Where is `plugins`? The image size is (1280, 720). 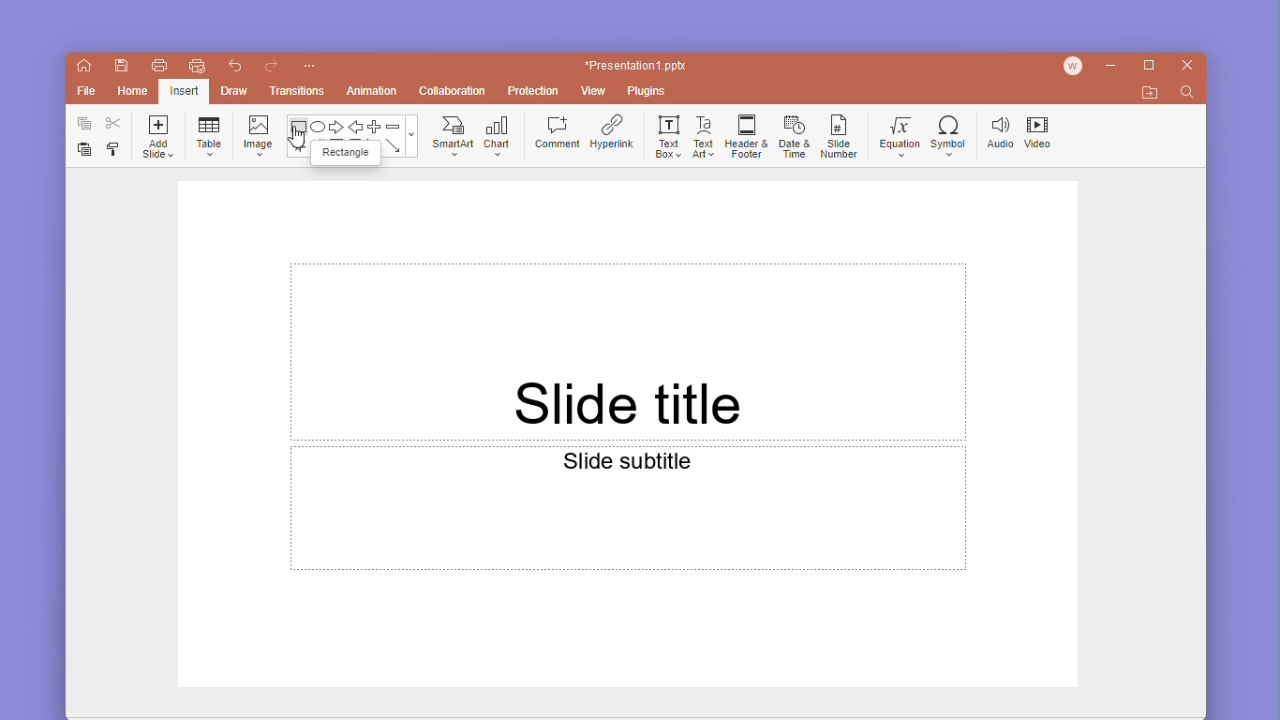
plugins is located at coordinates (652, 92).